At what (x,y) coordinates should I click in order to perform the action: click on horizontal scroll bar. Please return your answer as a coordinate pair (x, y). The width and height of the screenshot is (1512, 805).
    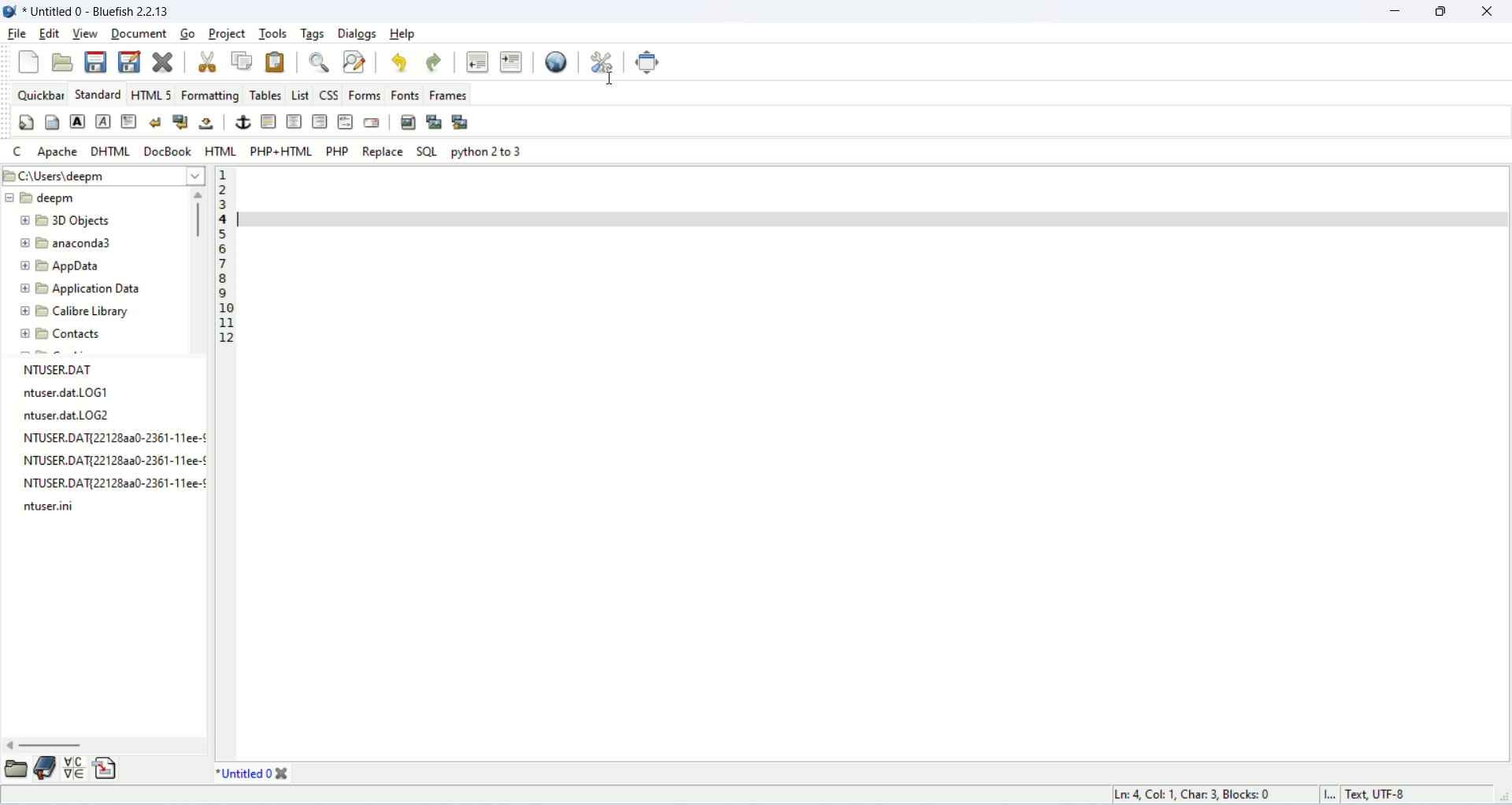
    Looking at the image, I should click on (104, 746).